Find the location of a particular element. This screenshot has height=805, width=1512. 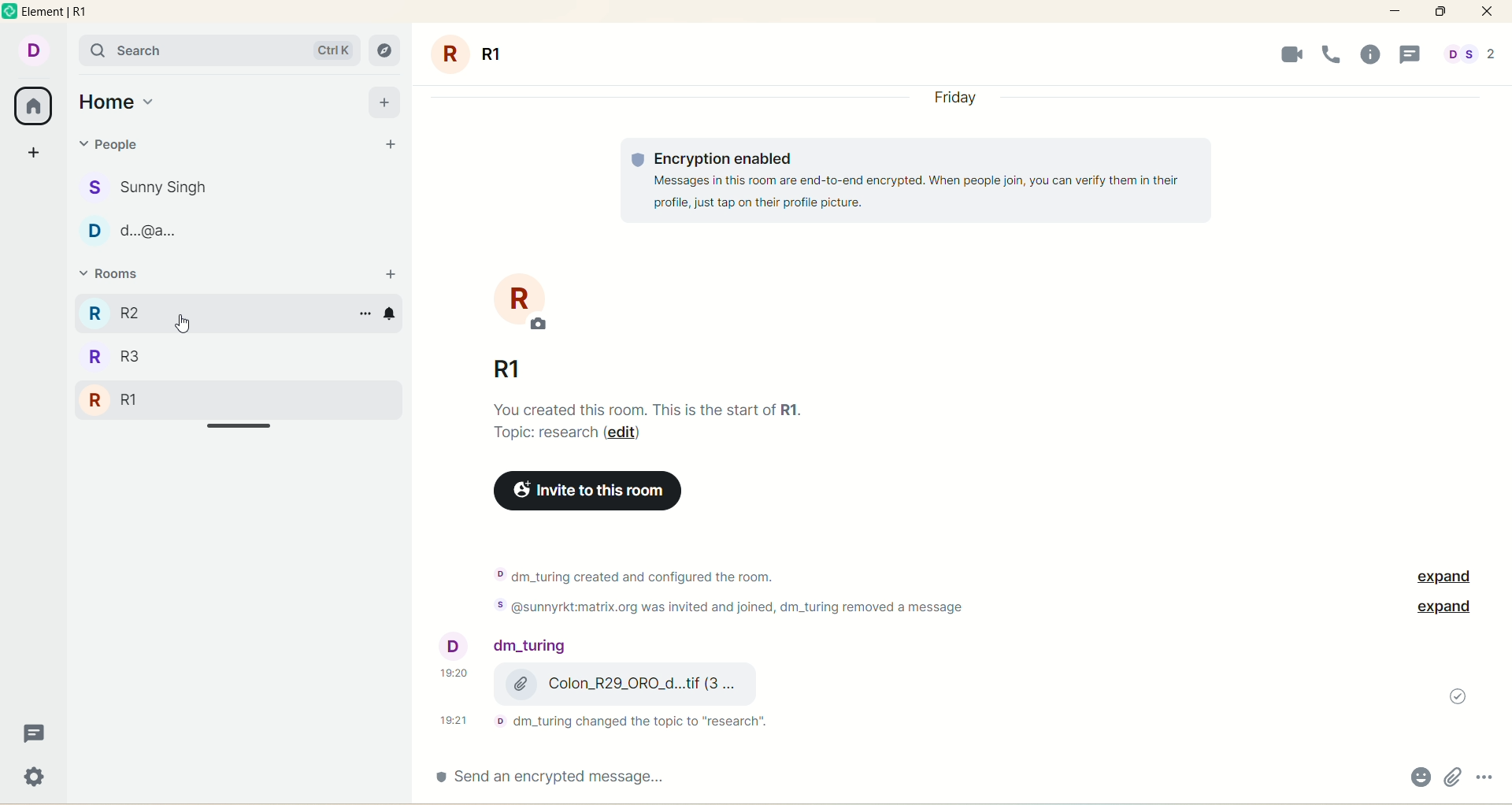

all rooms is located at coordinates (31, 106).